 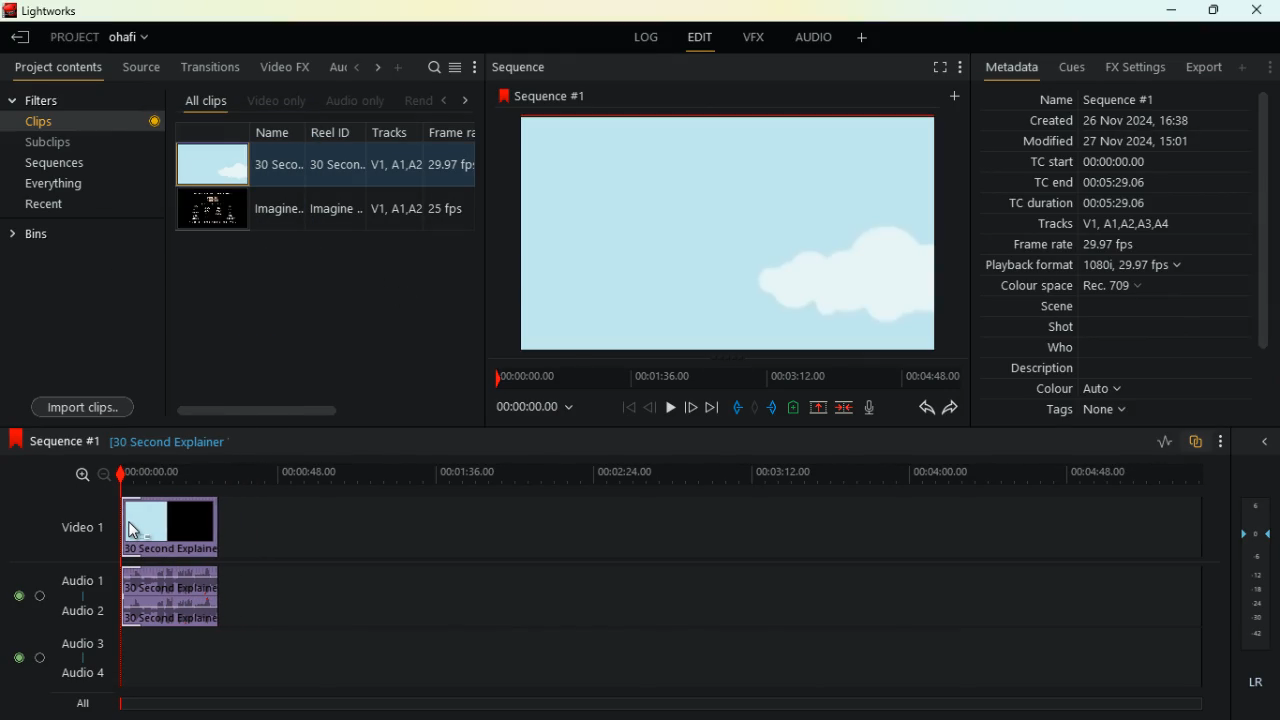 I want to click on shot, so click(x=1067, y=329).